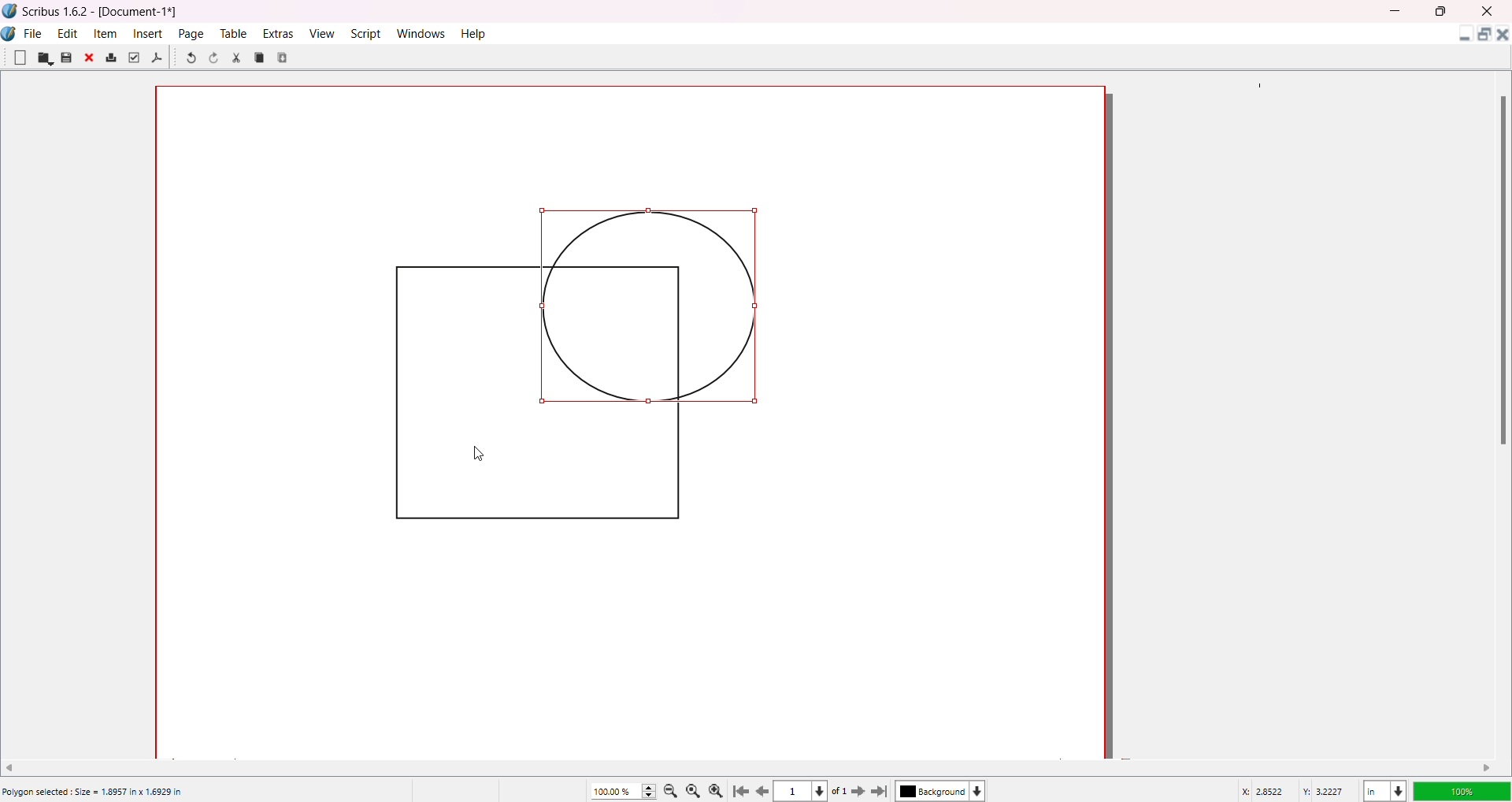 The width and height of the screenshot is (1512, 802). Describe the element at coordinates (826, 790) in the screenshot. I see `Page dropdown` at that location.